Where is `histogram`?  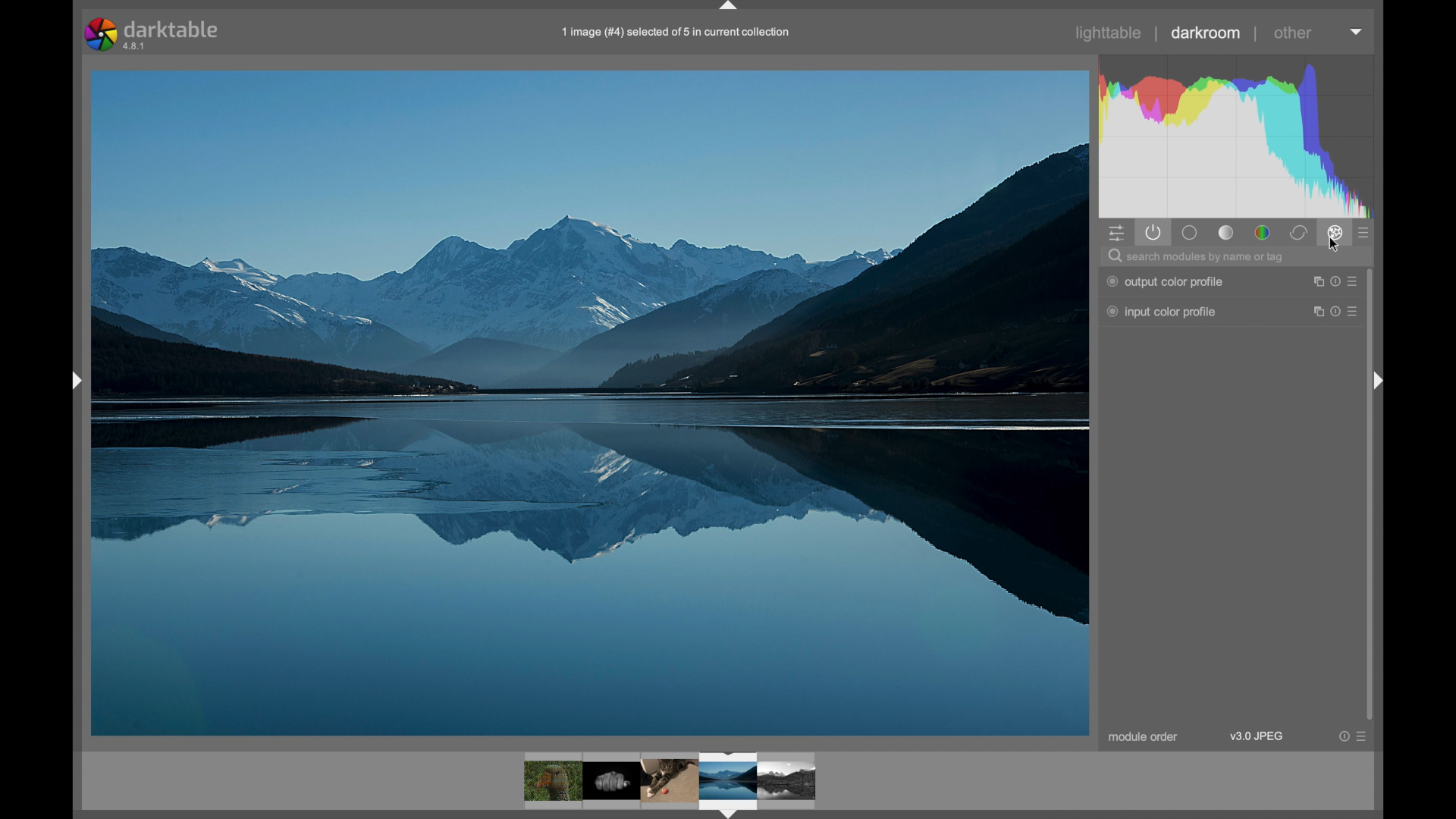 histogram is located at coordinates (1237, 135).